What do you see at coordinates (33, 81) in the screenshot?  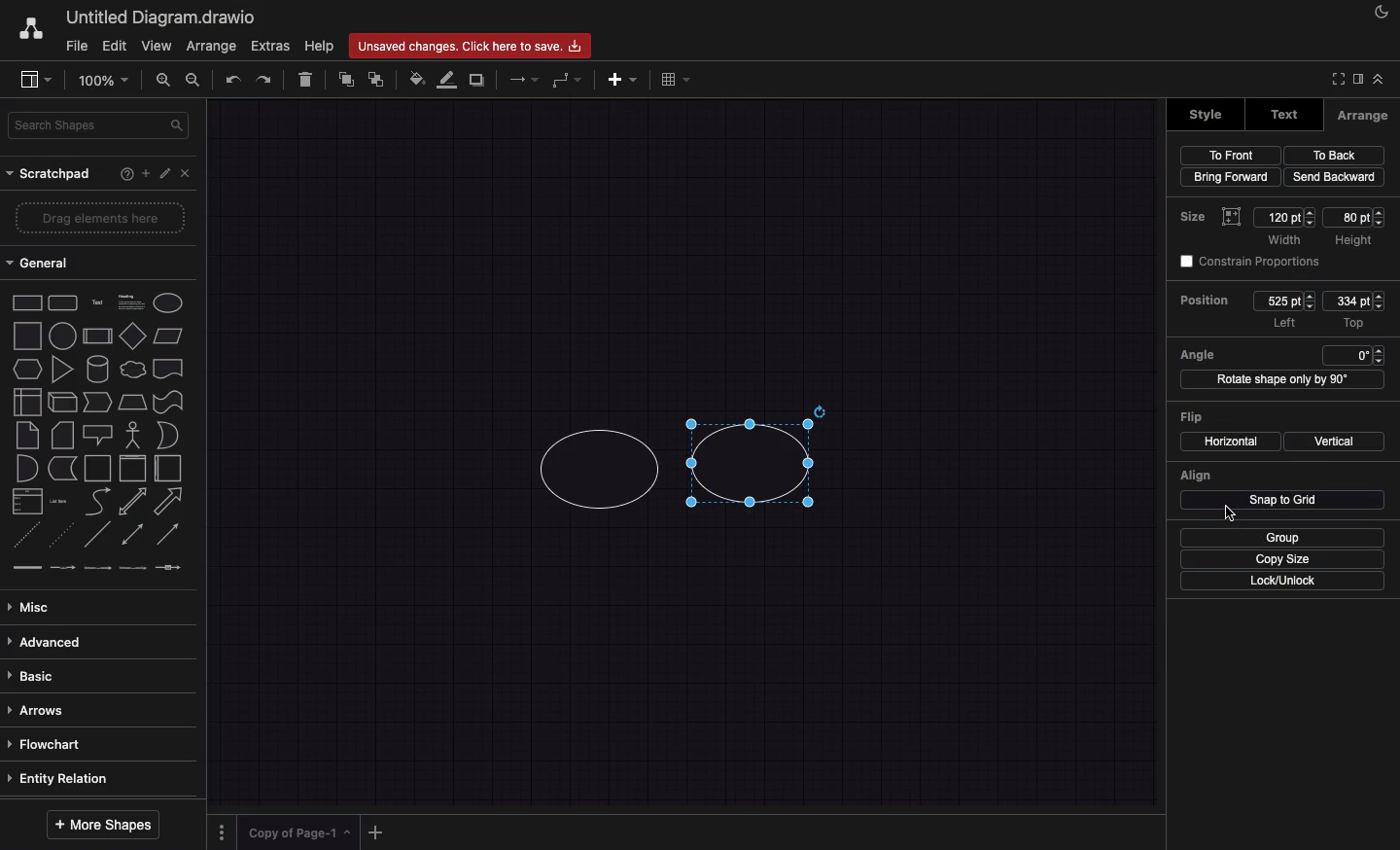 I see `view` at bounding box center [33, 81].